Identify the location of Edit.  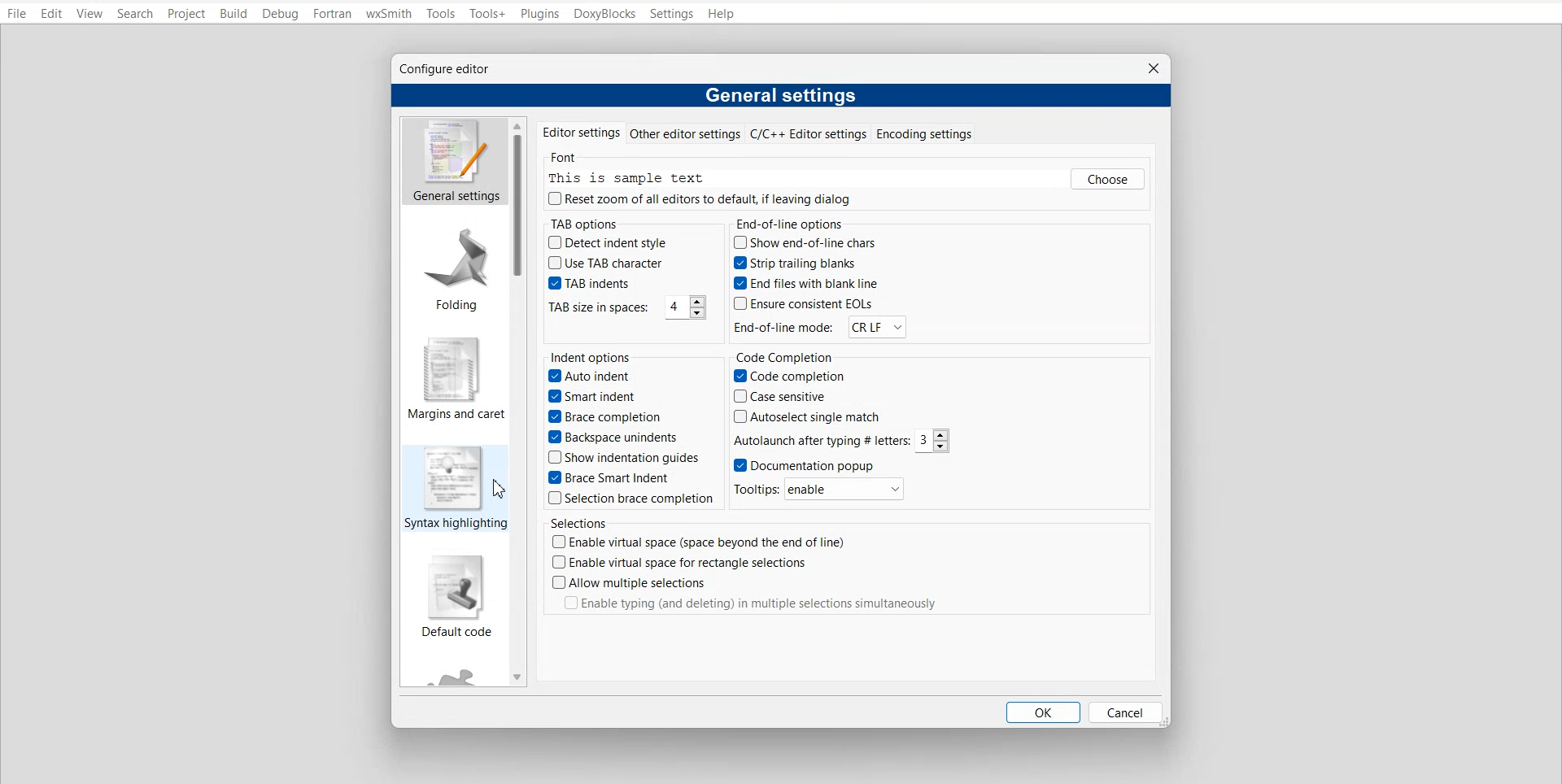
(51, 14).